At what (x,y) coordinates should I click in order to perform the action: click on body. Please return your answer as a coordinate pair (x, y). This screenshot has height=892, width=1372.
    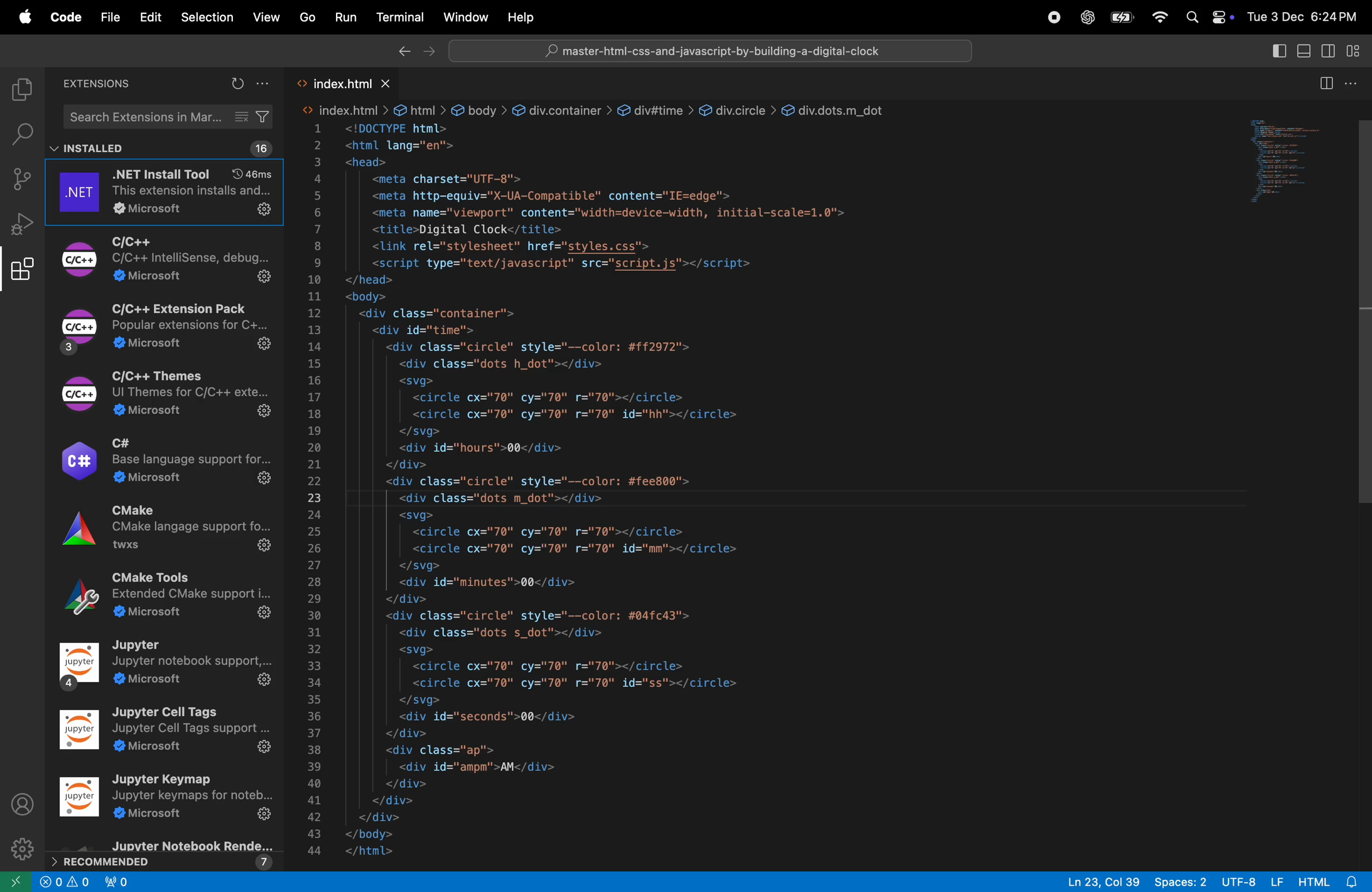
    Looking at the image, I should click on (477, 109).